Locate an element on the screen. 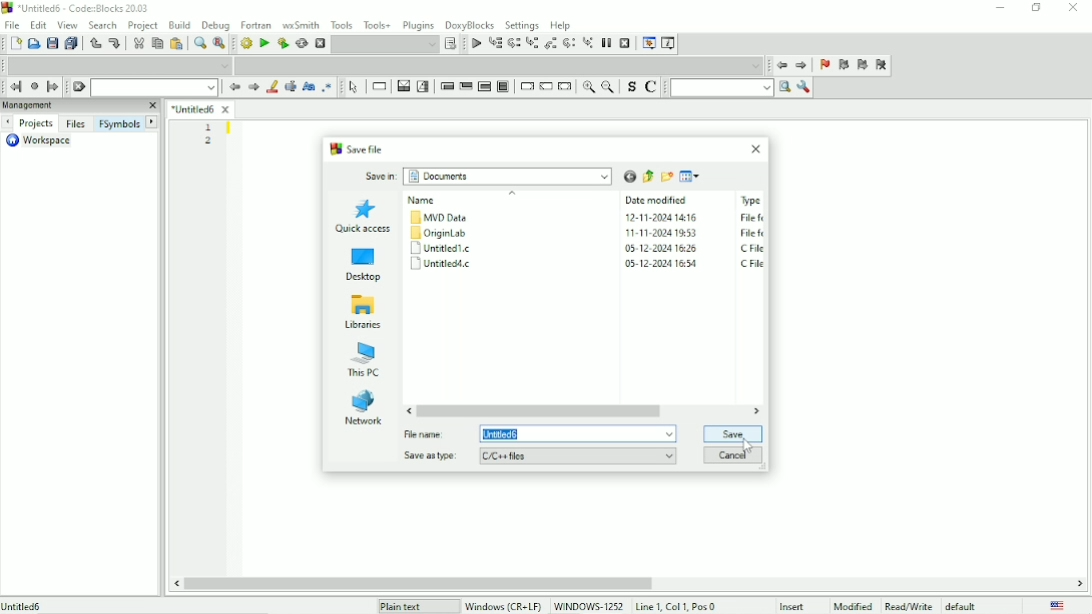  Use regex is located at coordinates (329, 87).